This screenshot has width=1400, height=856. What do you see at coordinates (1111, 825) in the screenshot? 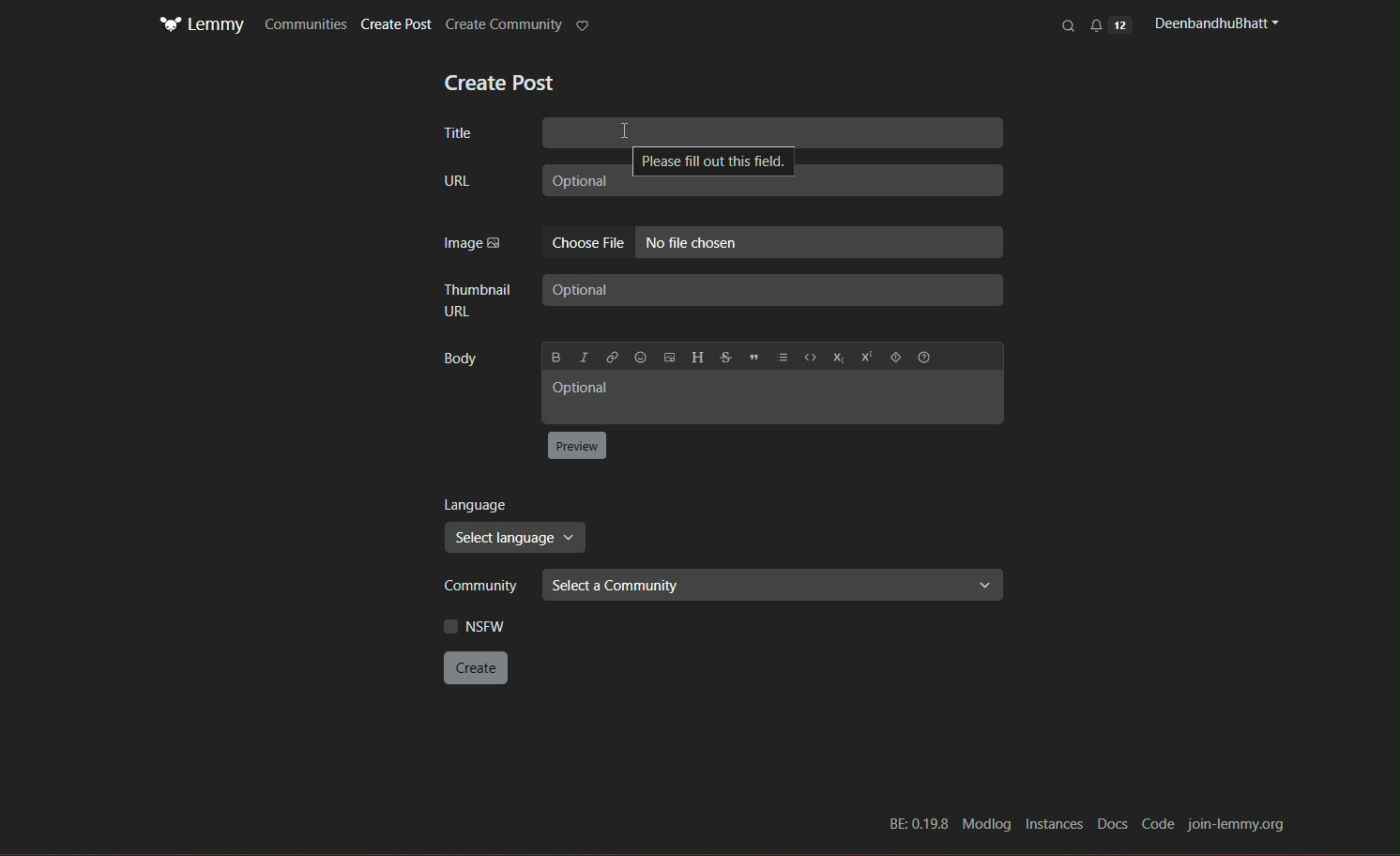
I see `Docs` at bounding box center [1111, 825].